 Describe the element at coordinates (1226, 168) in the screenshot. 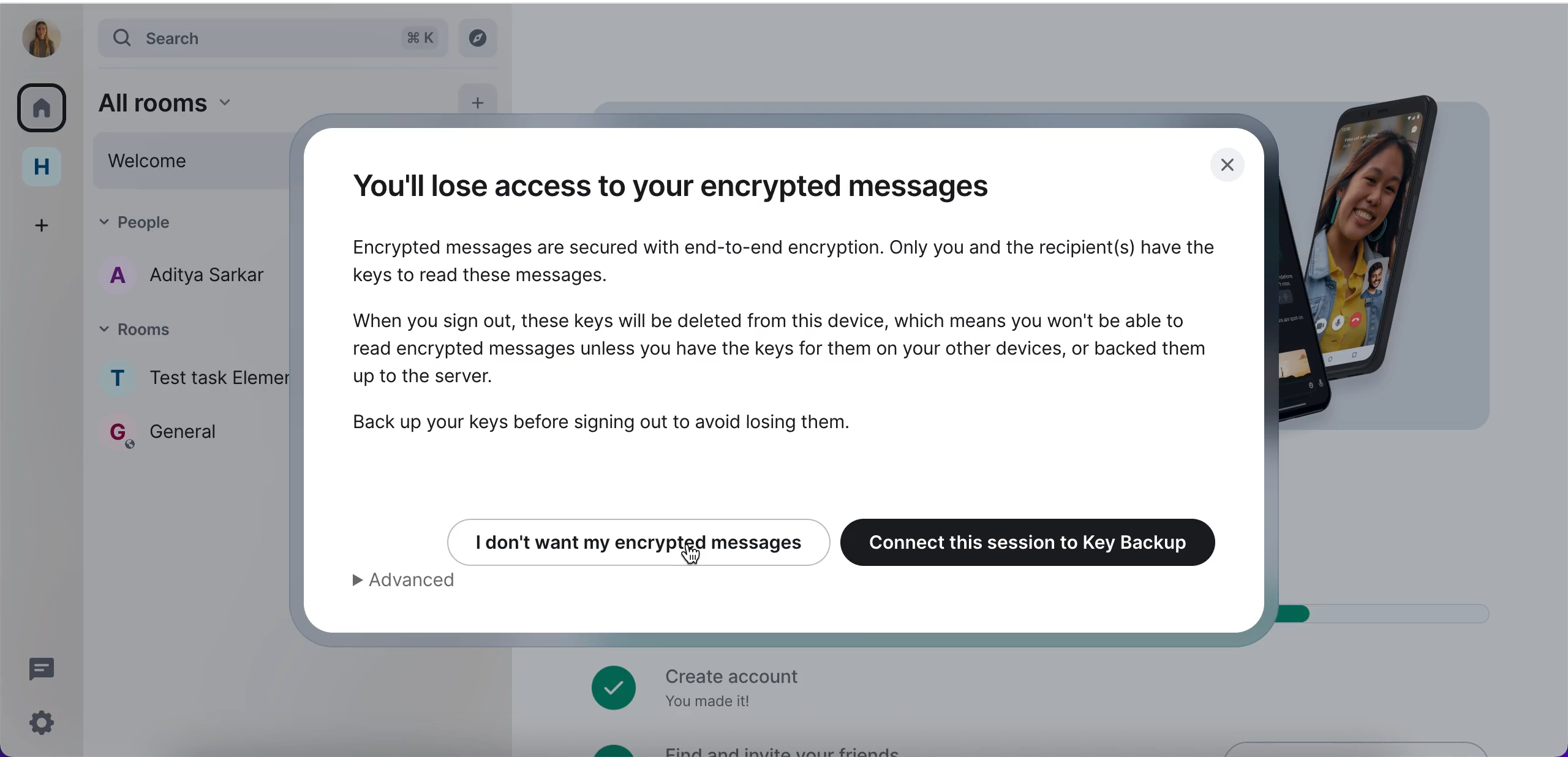

I see `close` at that location.